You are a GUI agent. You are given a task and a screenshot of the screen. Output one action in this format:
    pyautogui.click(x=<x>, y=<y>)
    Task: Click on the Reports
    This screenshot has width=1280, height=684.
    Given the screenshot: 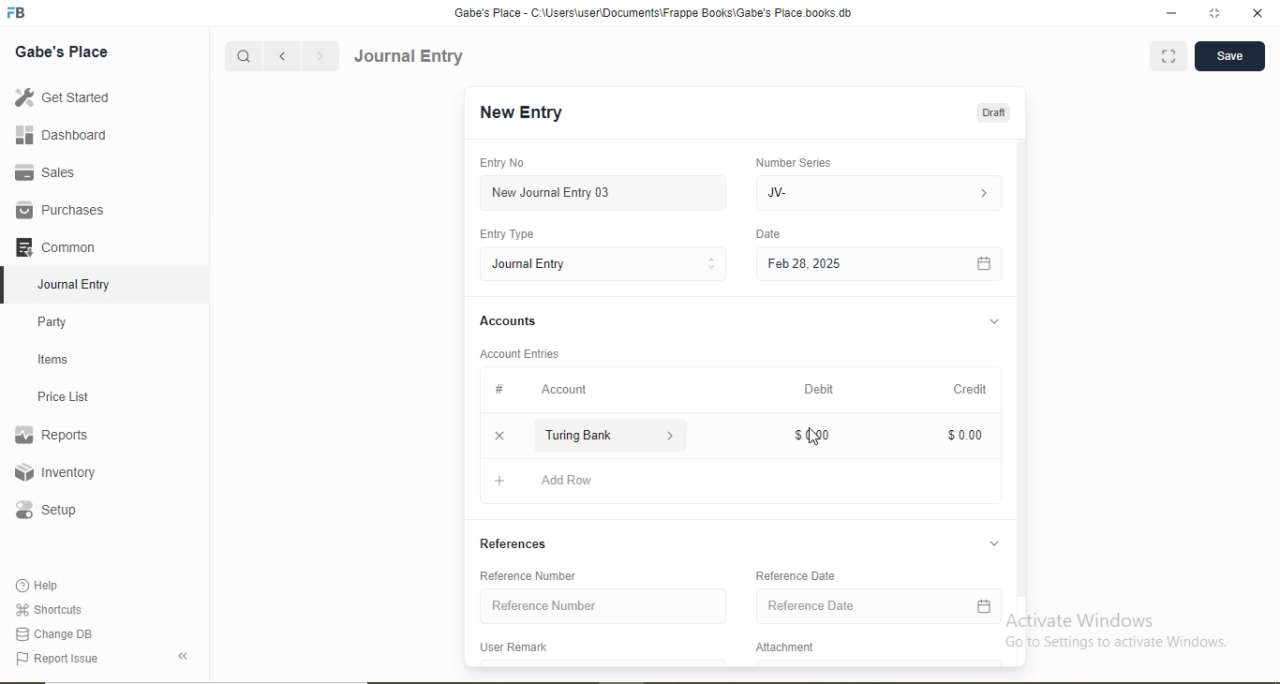 What is the action you would take?
    pyautogui.click(x=51, y=435)
    